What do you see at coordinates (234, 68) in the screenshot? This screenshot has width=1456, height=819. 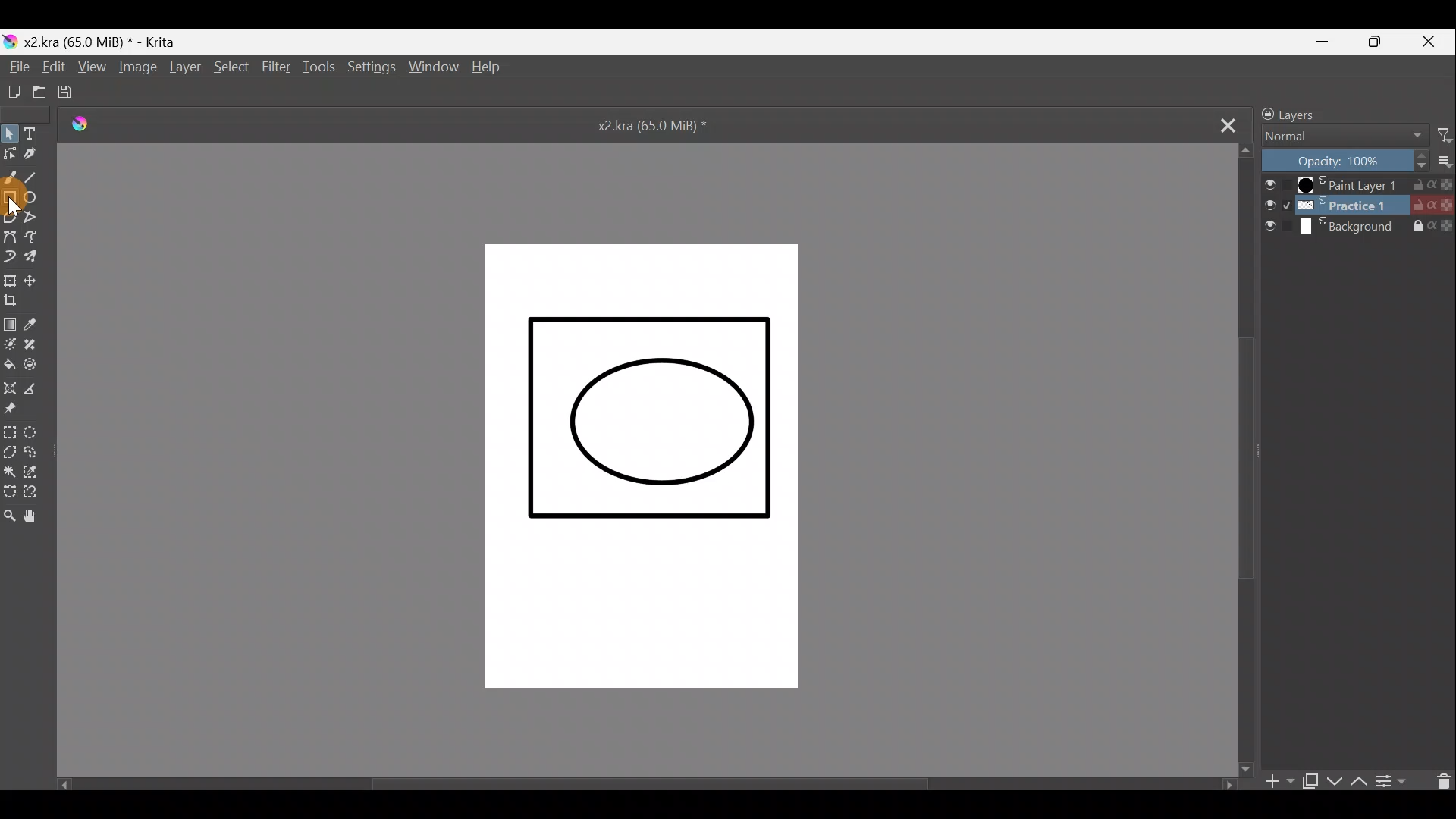 I see `Select` at bounding box center [234, 68].